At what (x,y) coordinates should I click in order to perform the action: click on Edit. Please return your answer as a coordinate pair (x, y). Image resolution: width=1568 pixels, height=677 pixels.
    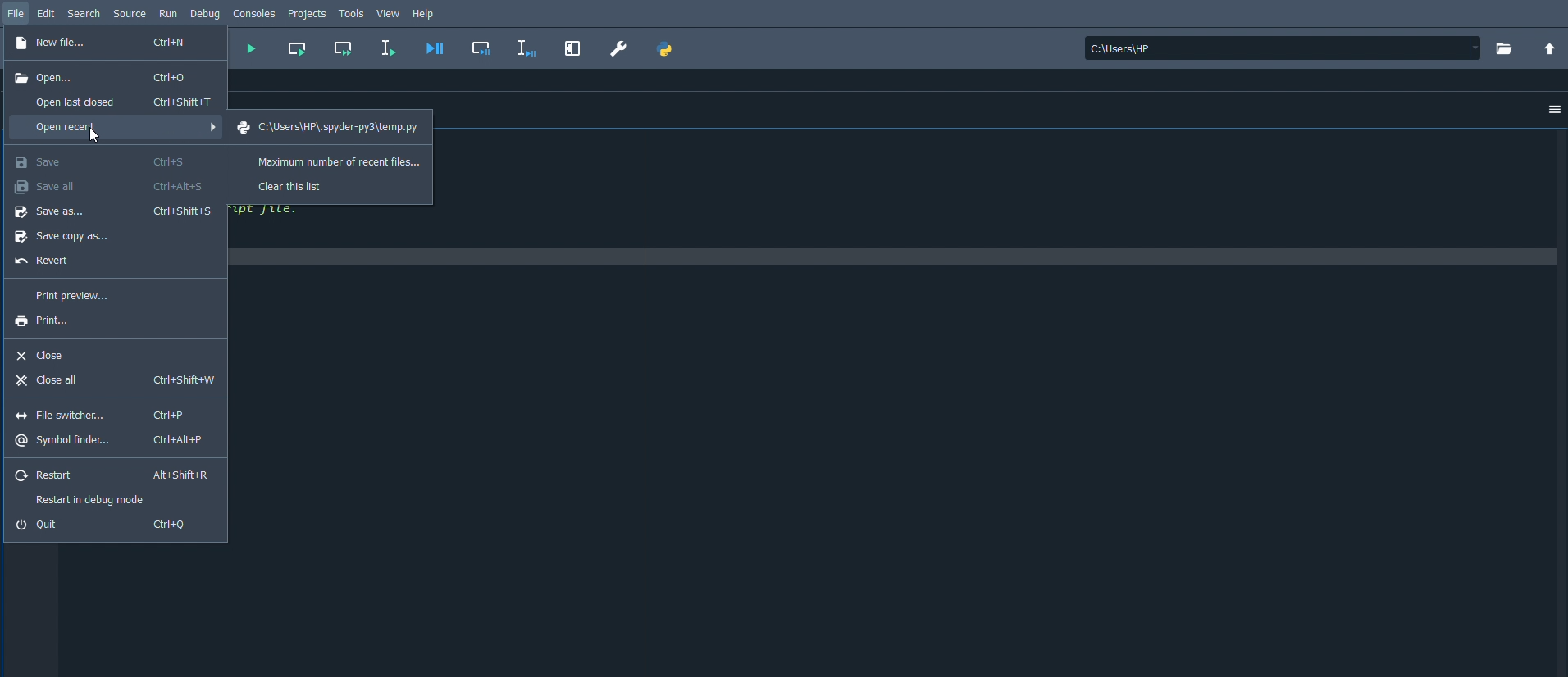
    Looking at the image, I should click on (46, 11).